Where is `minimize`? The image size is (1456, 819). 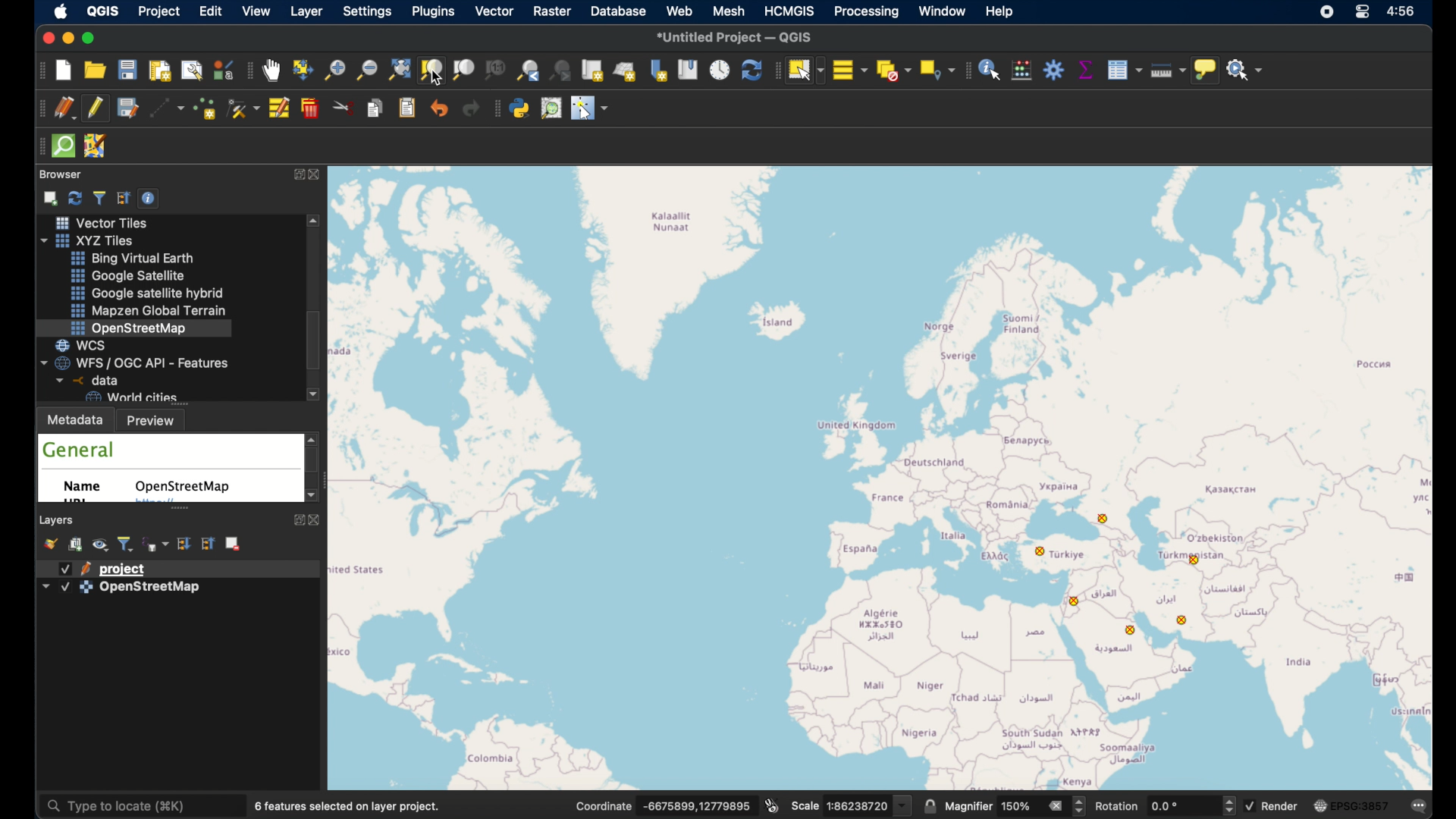
minimize is located at coordinates (67, 39).